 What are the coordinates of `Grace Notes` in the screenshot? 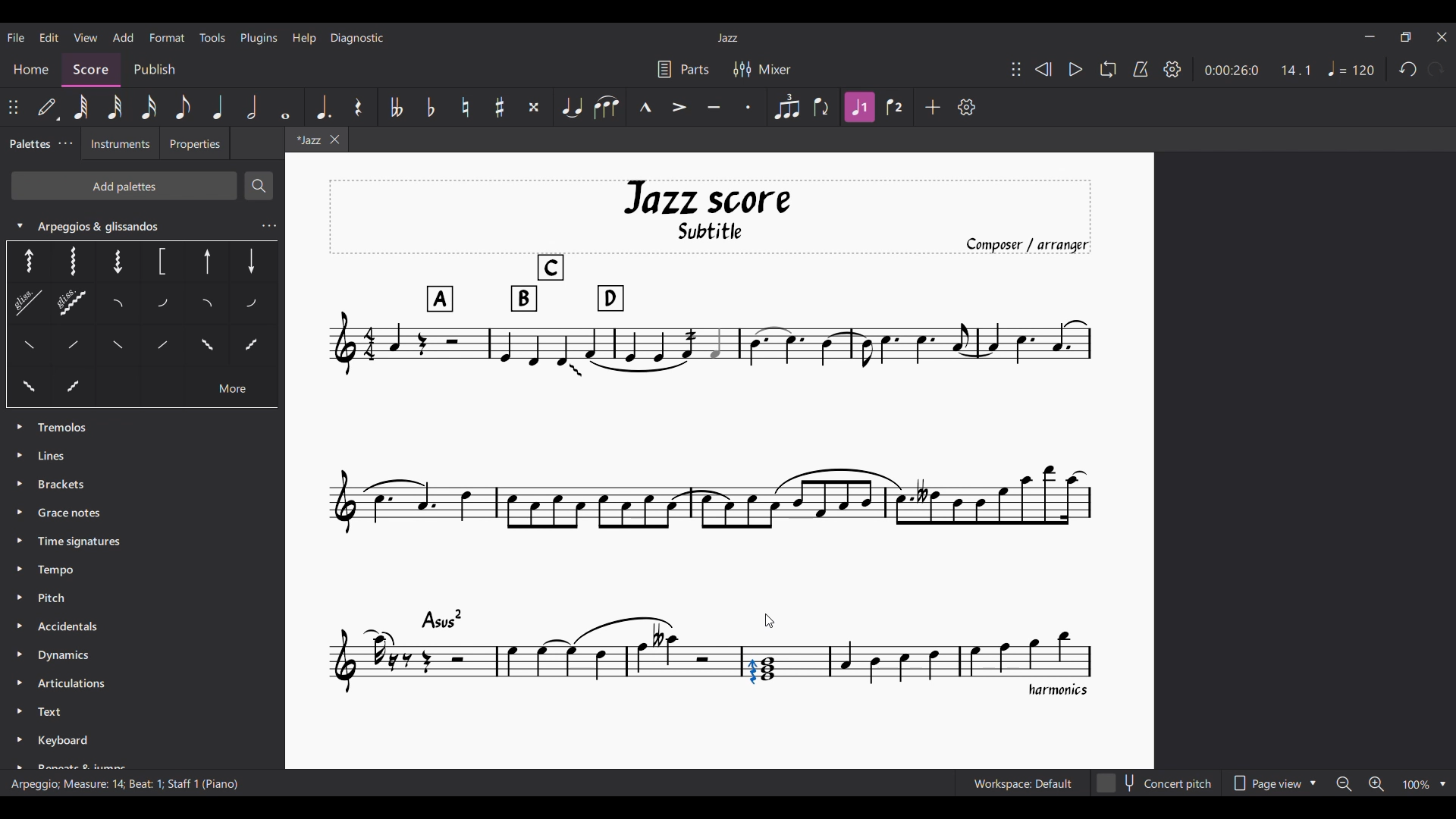 It's located at (74, 515).